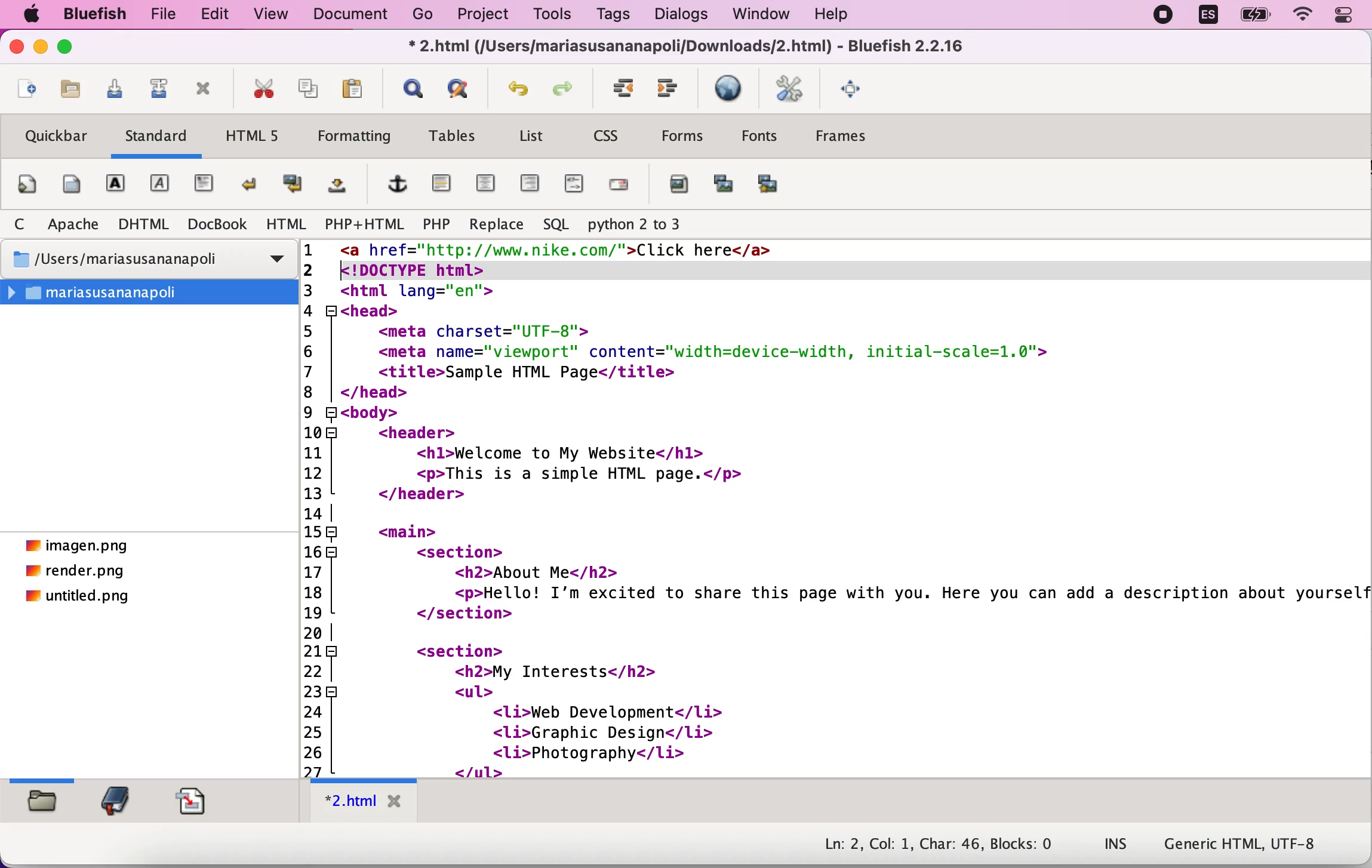  What do you see at coordinates (41, 805) in the screenshot?
I see `filebrowser` at bounding box center [41, 805].